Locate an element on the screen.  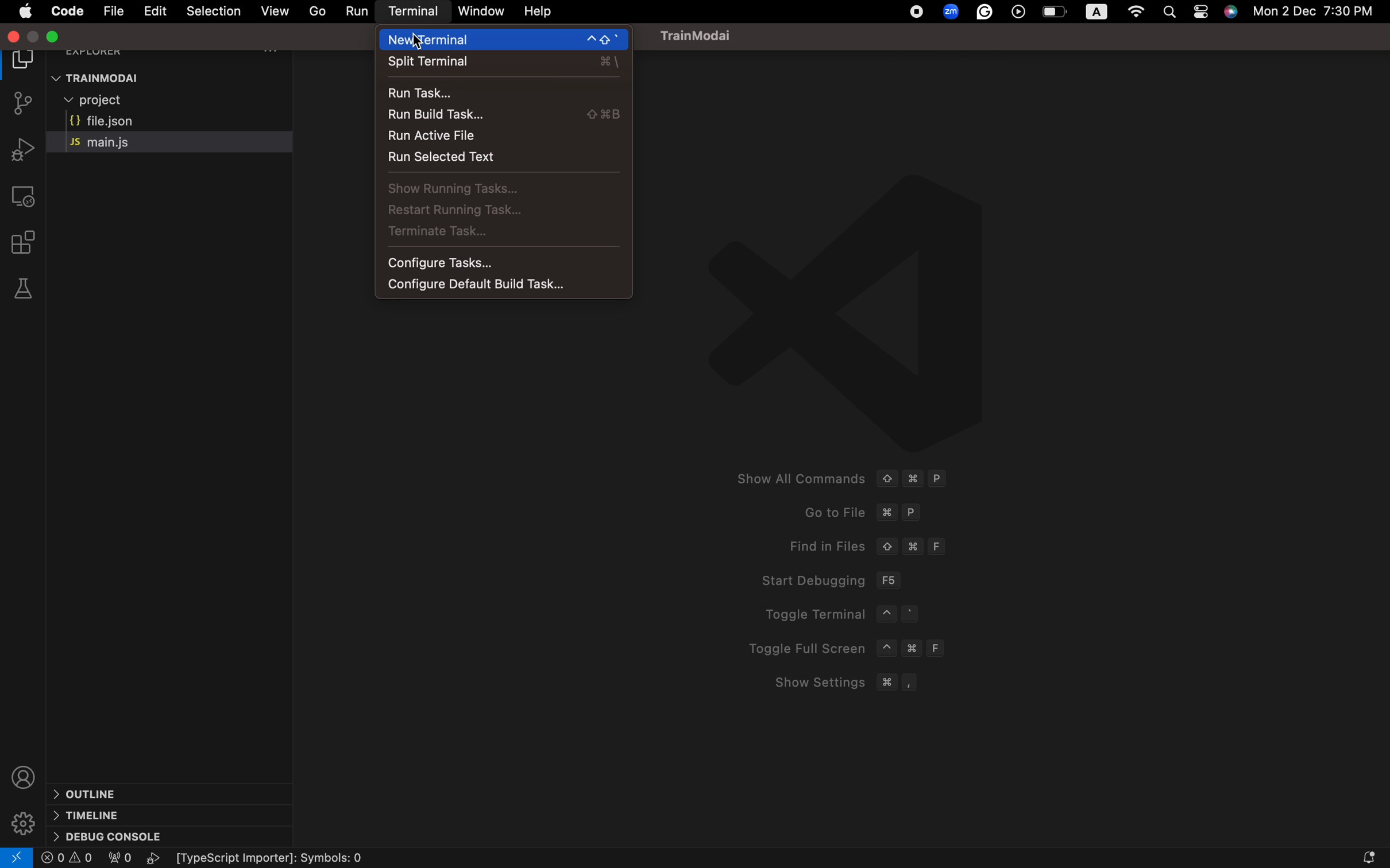
Show All Commands © # P
Goto File ¥# P
Find in Files © 3% F
Start Debugging F56
Toggle Terminal ~ °
Toggle Full Screen ~ # F
Show Settings # , is located at coordinates (835, 477).